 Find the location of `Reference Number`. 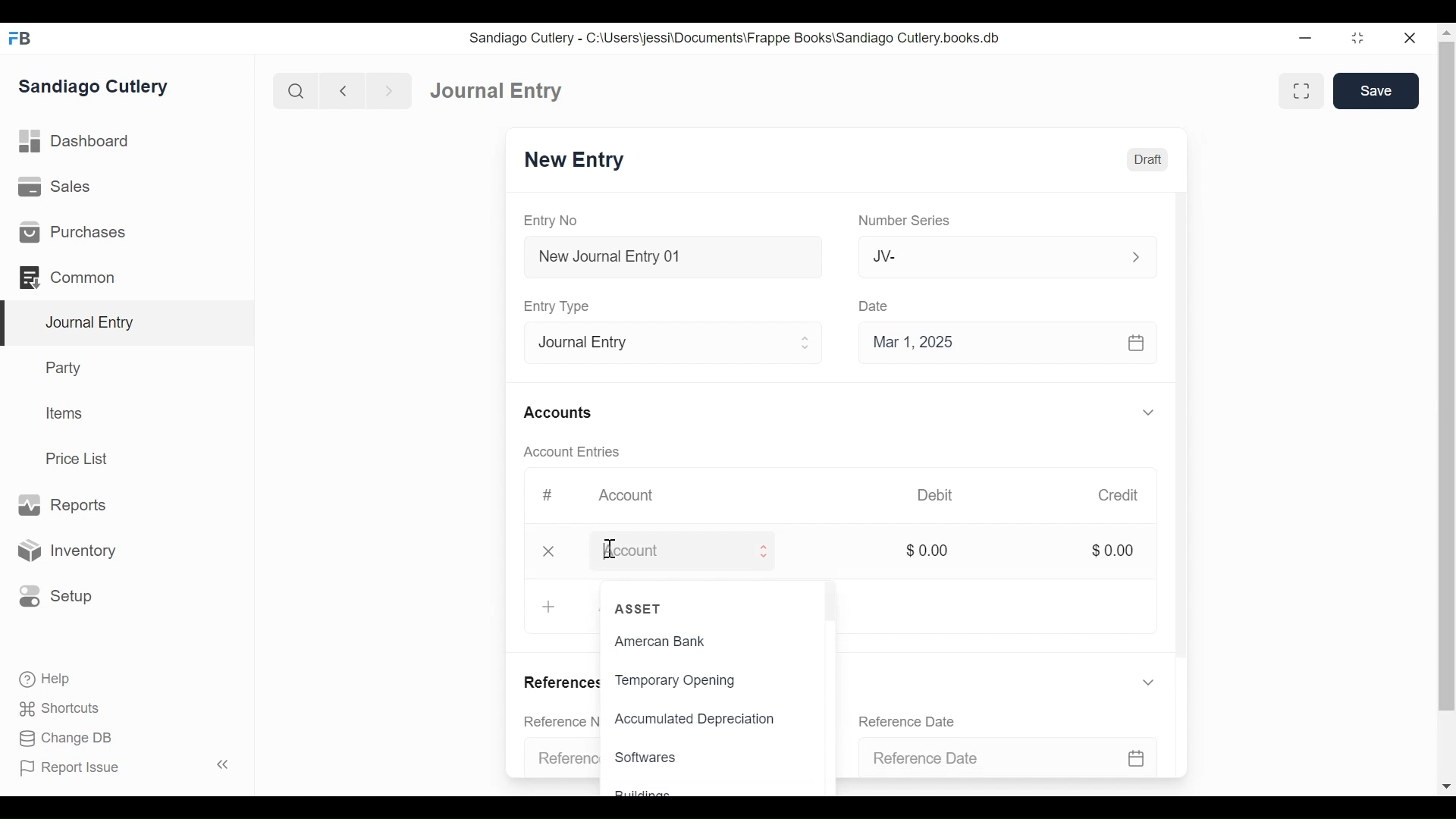

Reference Number is located at coordinates (562, 759).